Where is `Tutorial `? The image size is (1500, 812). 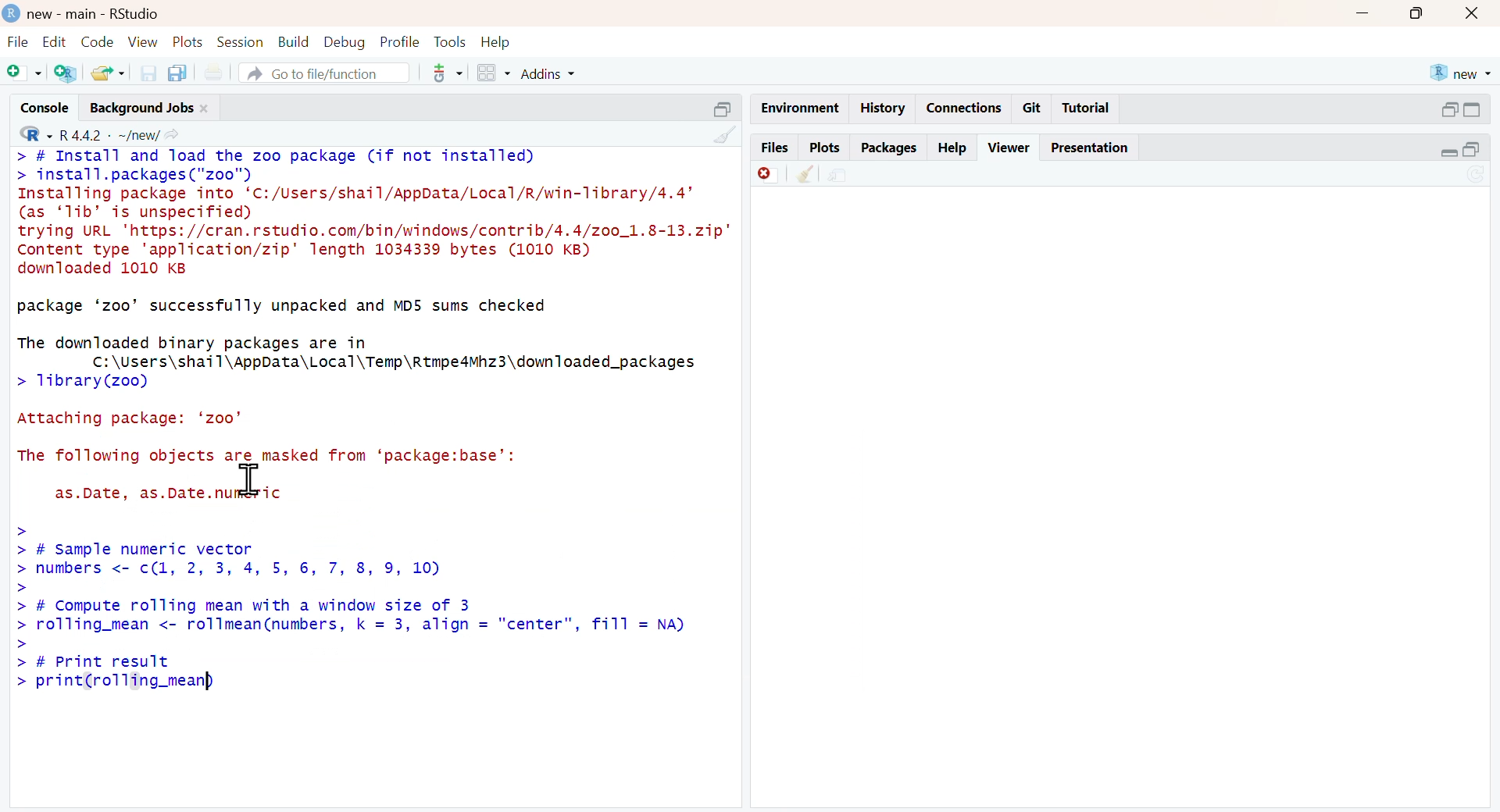
Tutorial  is located at coordinates (1087, 108).